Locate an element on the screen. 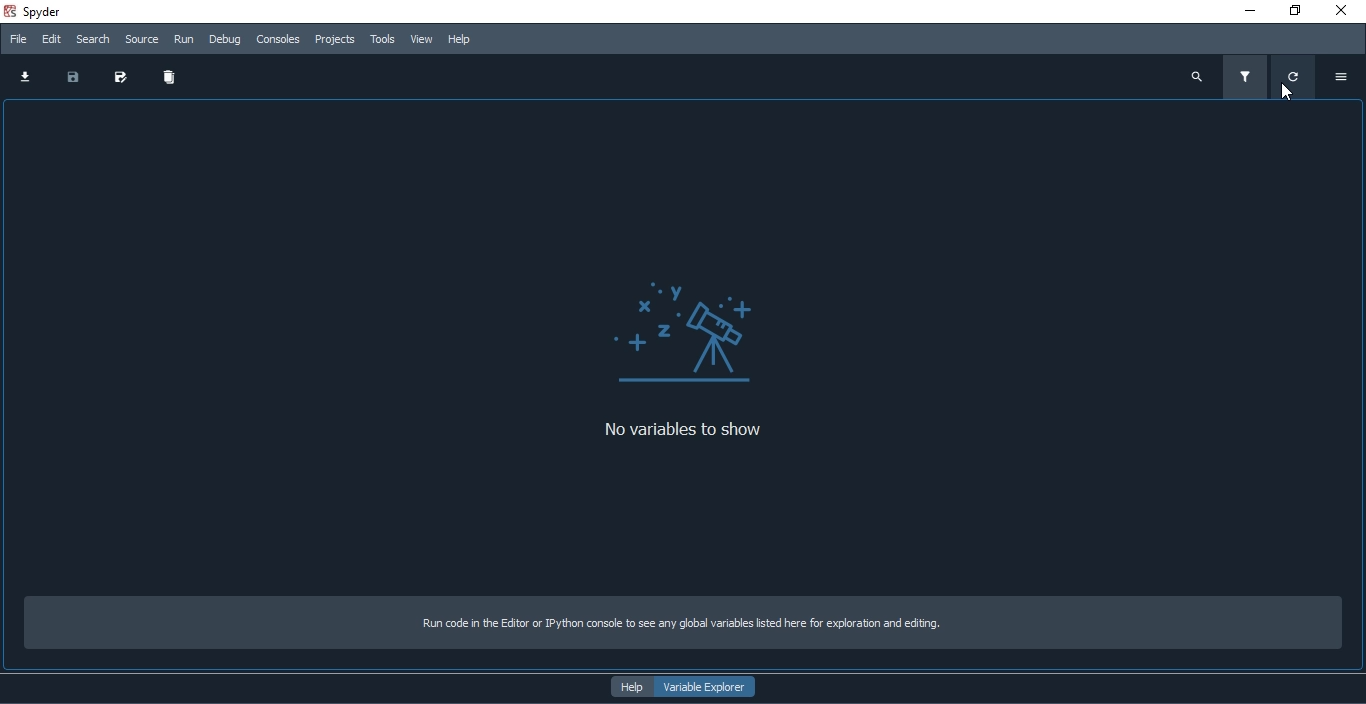 The width and height of the screenshot is (1366, 704). File  is located at coordinates (16, 38).